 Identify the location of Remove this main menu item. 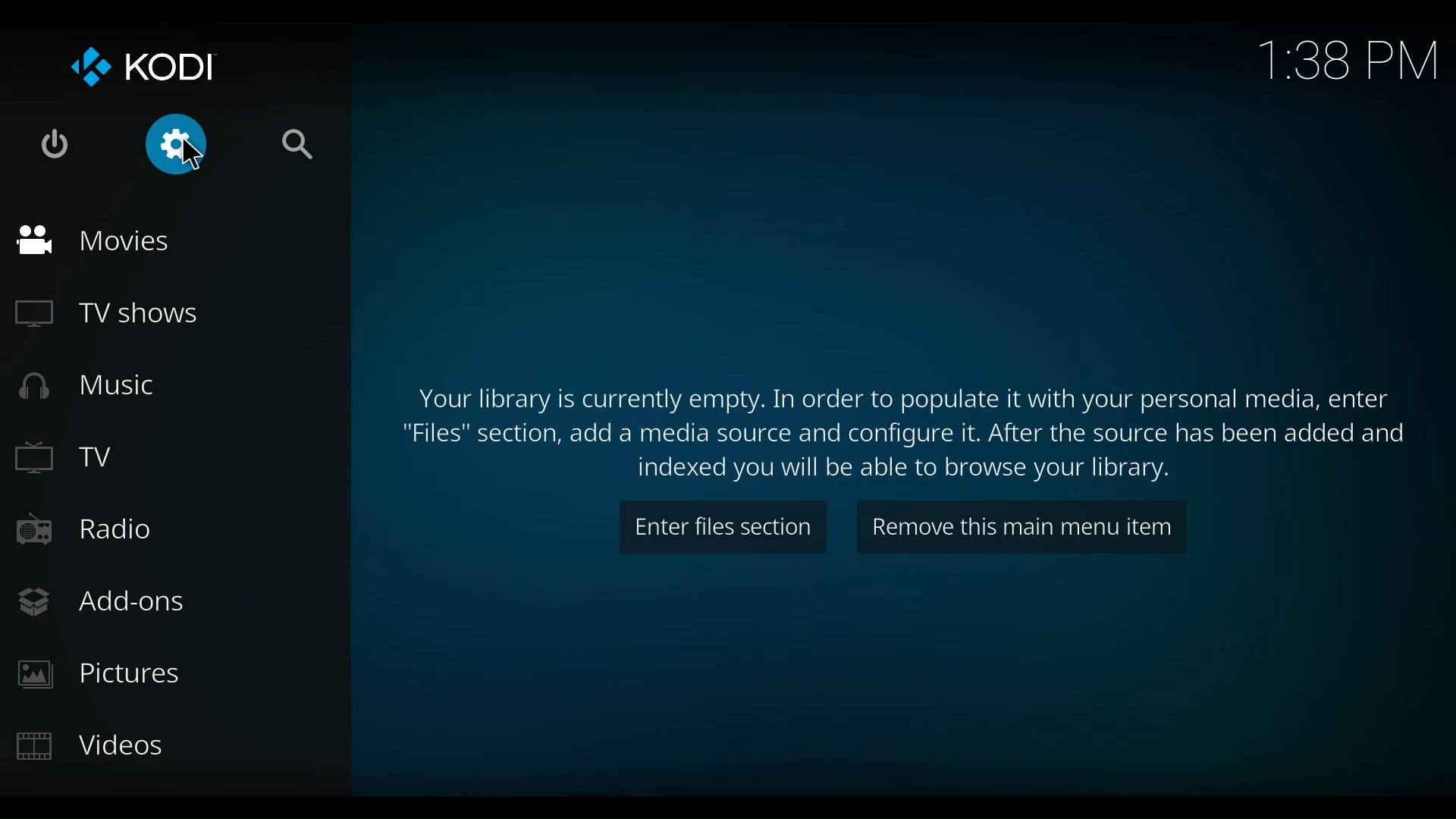
(1017, 526).